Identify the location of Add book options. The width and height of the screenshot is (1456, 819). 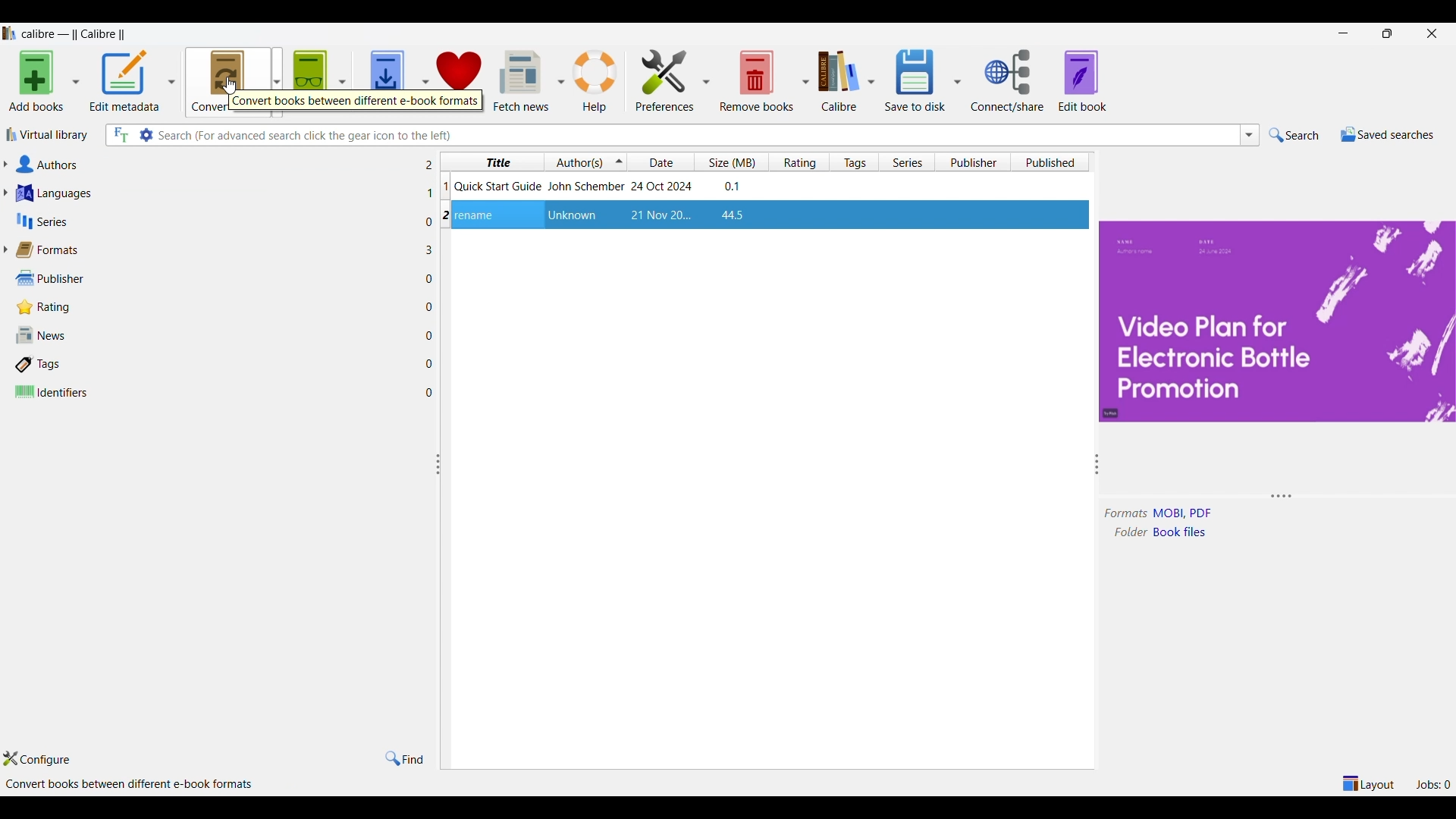
(77, 82).